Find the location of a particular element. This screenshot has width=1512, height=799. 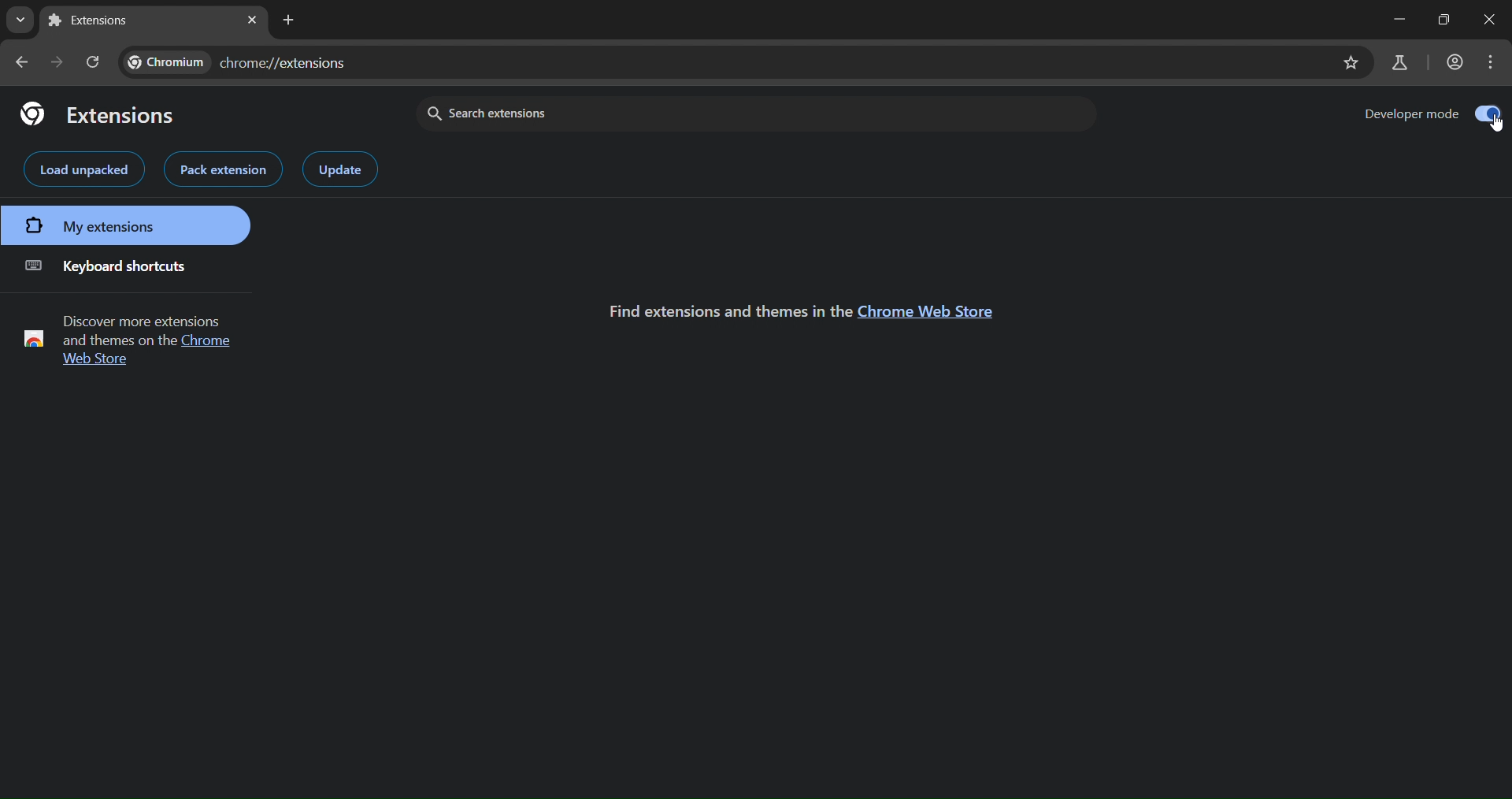

Find extensions and themes in the  is located at coordinates (728, 309).